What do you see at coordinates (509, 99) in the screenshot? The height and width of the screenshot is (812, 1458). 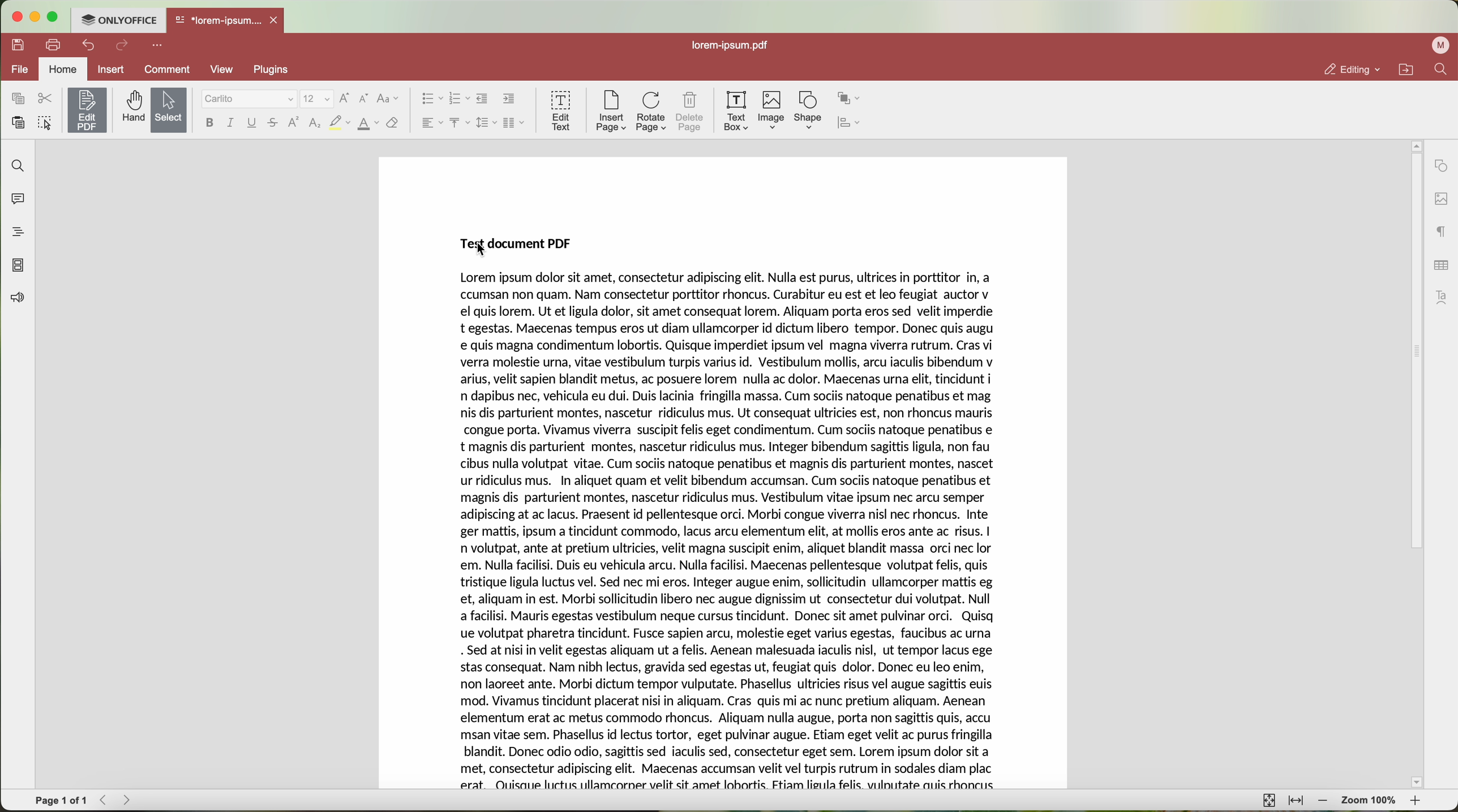 I see `increase indent` at bounding box center [509, 99].